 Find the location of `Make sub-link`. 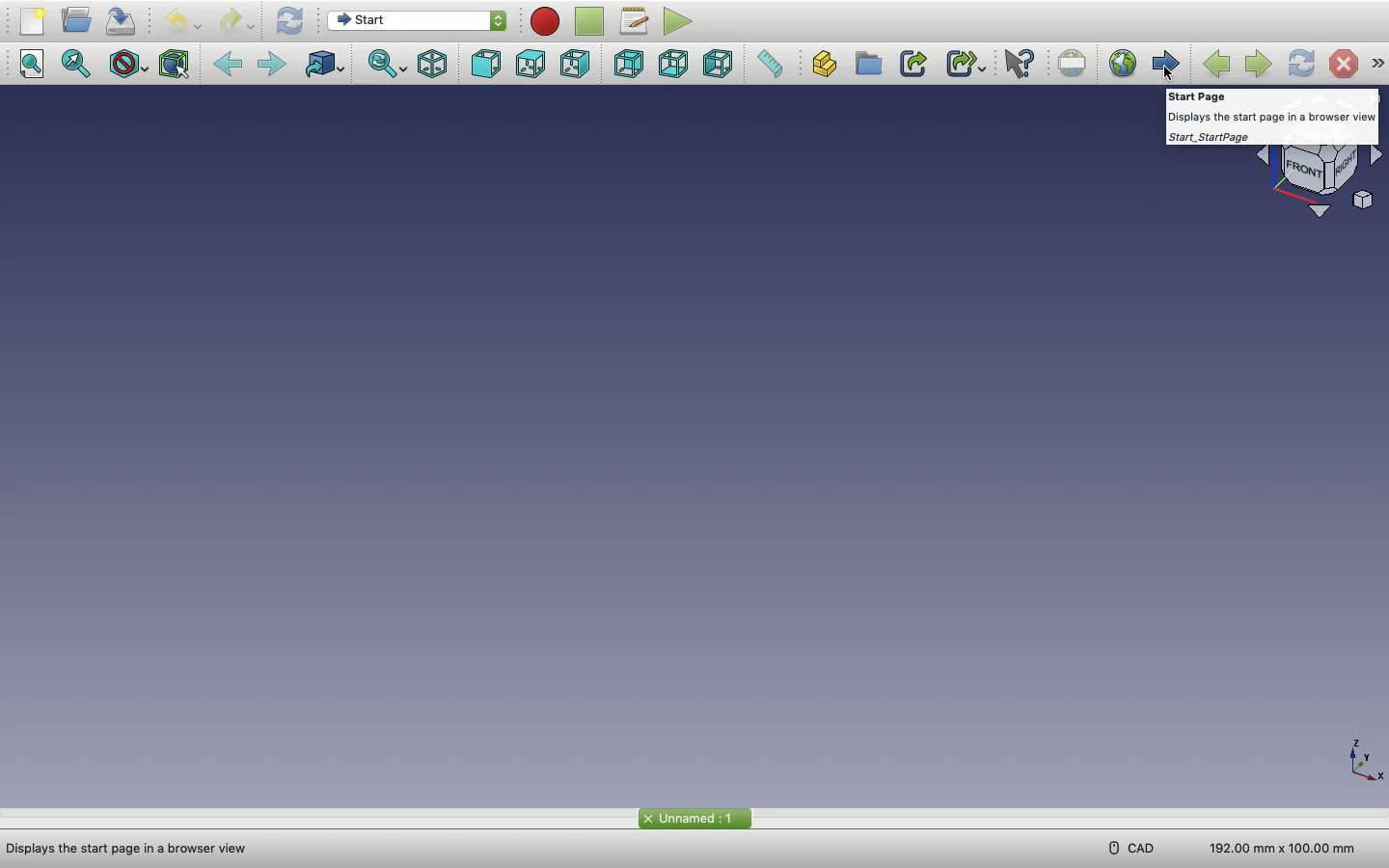

Make sub-link is located at coordinates (967, 64).